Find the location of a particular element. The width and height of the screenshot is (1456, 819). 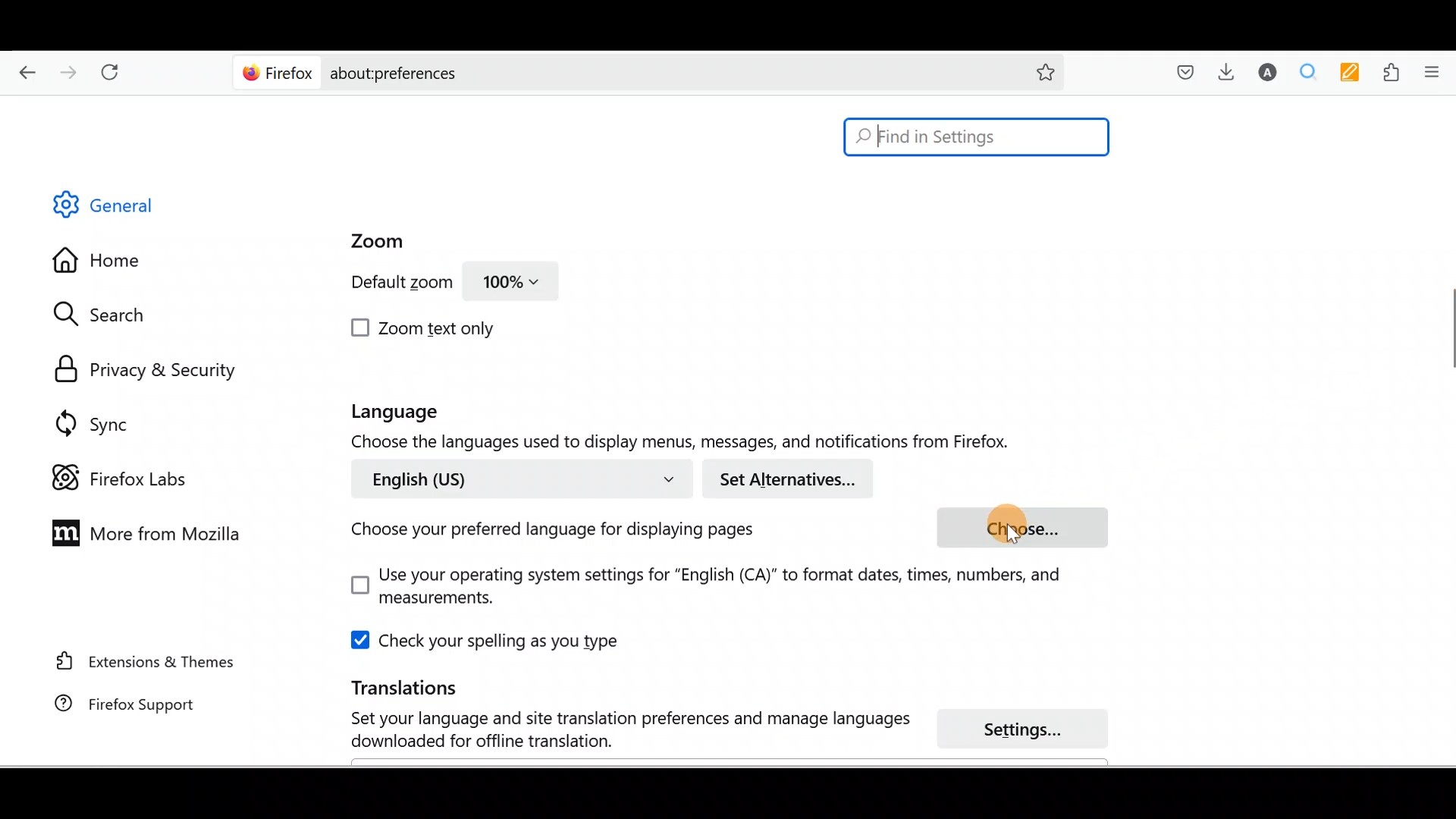

Reload current page is located at coordinates (115, 69).